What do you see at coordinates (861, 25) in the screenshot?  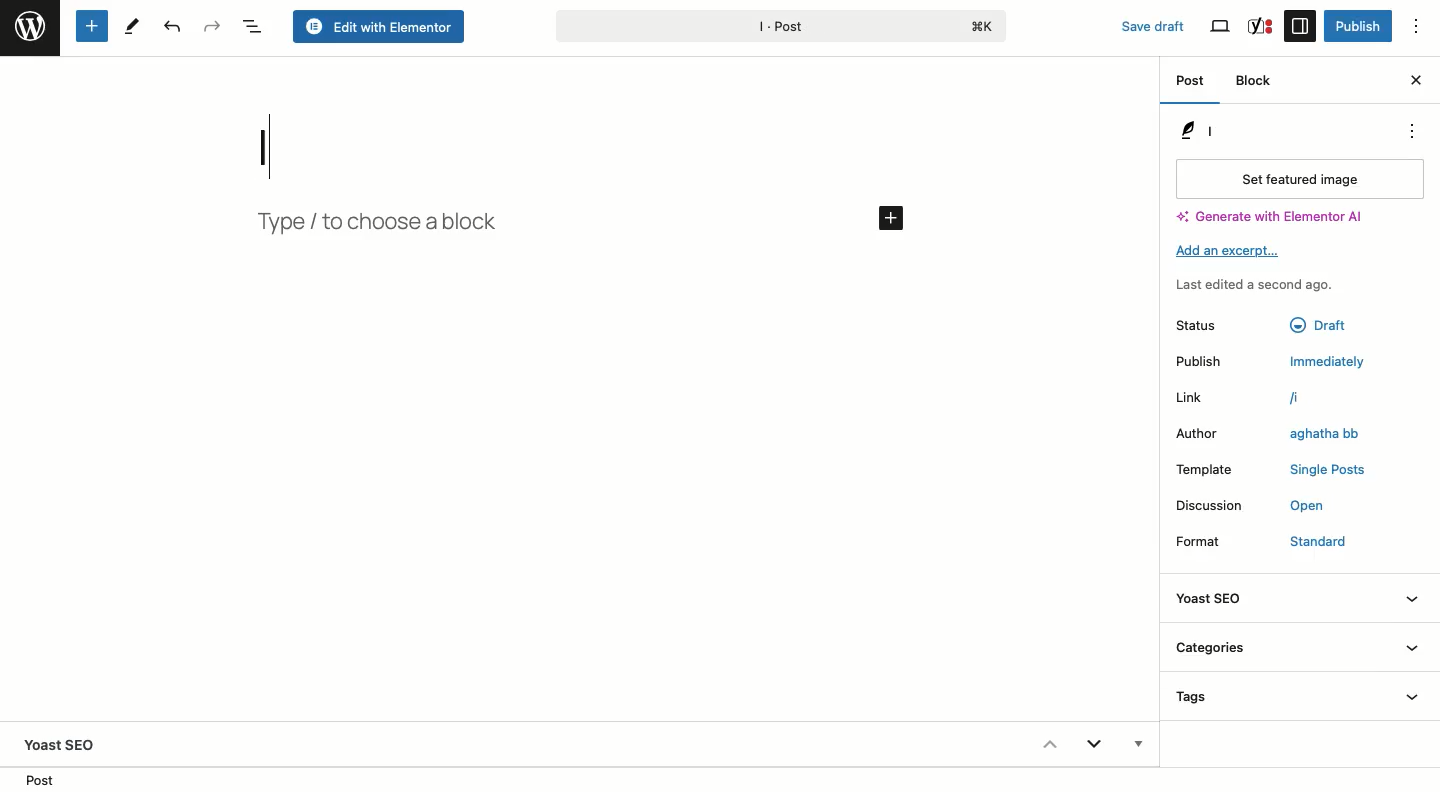 I see `No title - Post ` at bounding box center [861, 25].